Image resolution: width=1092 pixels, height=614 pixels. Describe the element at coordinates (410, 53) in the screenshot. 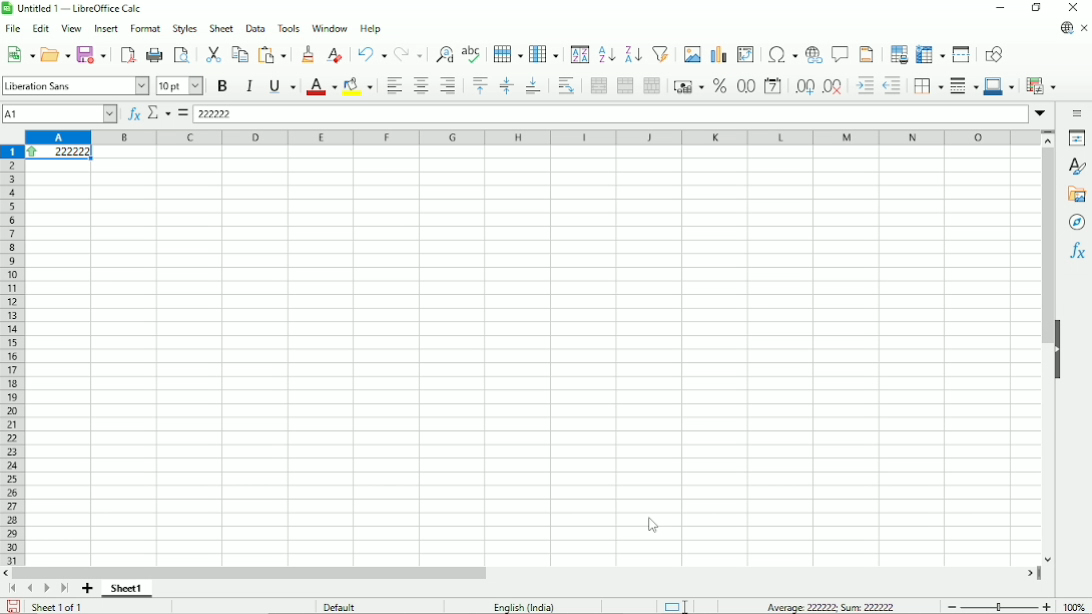

I see `Redo` at that location.